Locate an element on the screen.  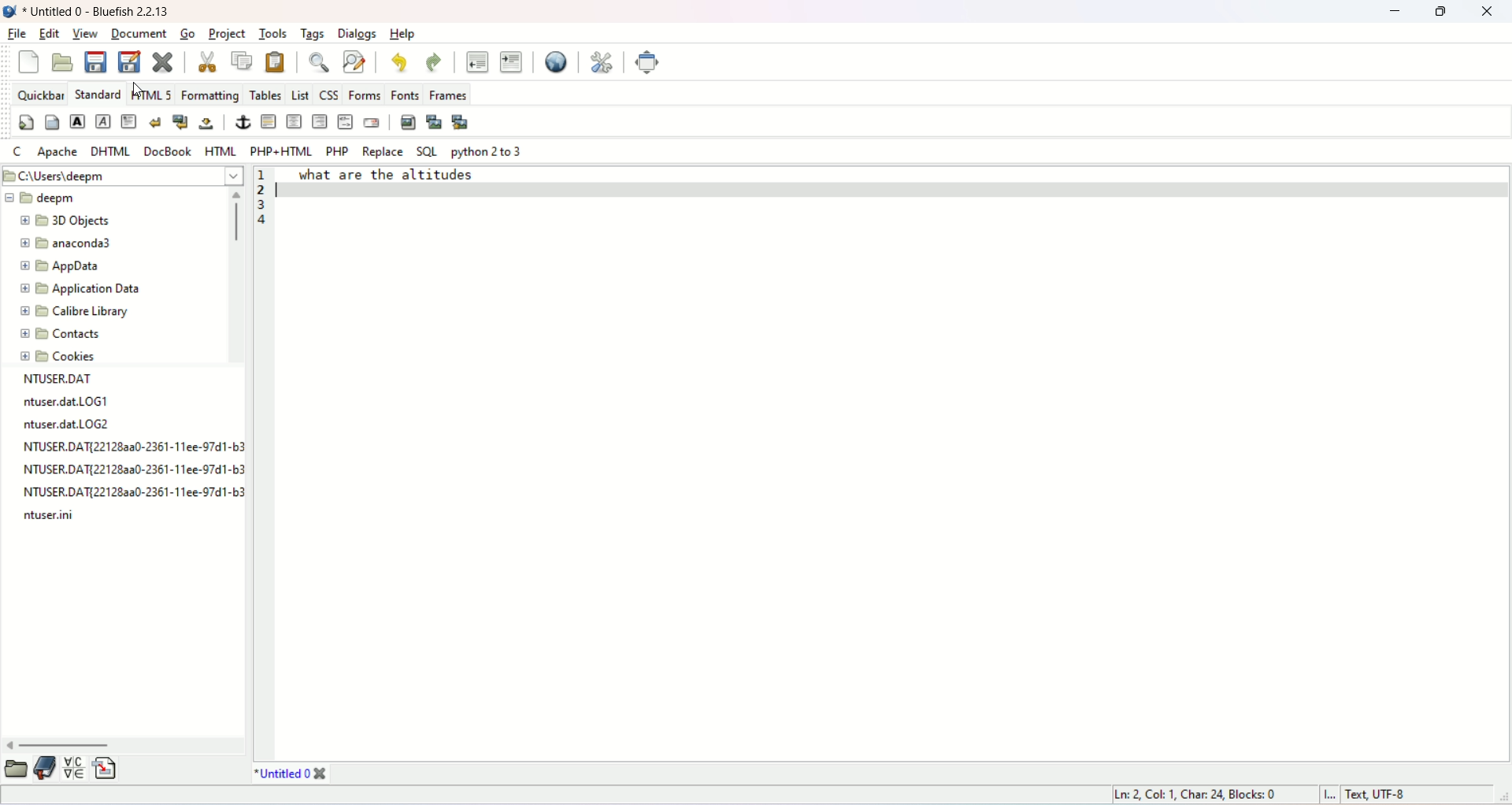
location is located at coordinates (121, 176).